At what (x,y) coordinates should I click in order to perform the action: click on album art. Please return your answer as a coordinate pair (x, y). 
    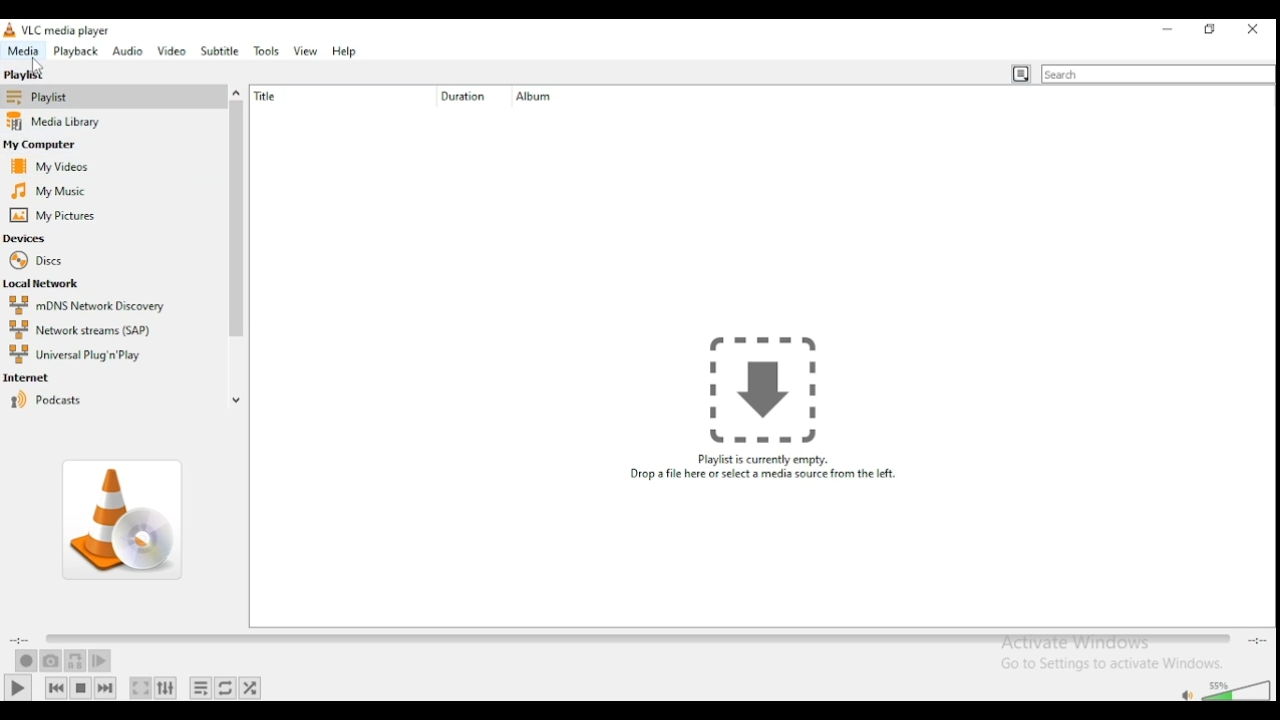
    Looking at the image, I should click on (119, 520).